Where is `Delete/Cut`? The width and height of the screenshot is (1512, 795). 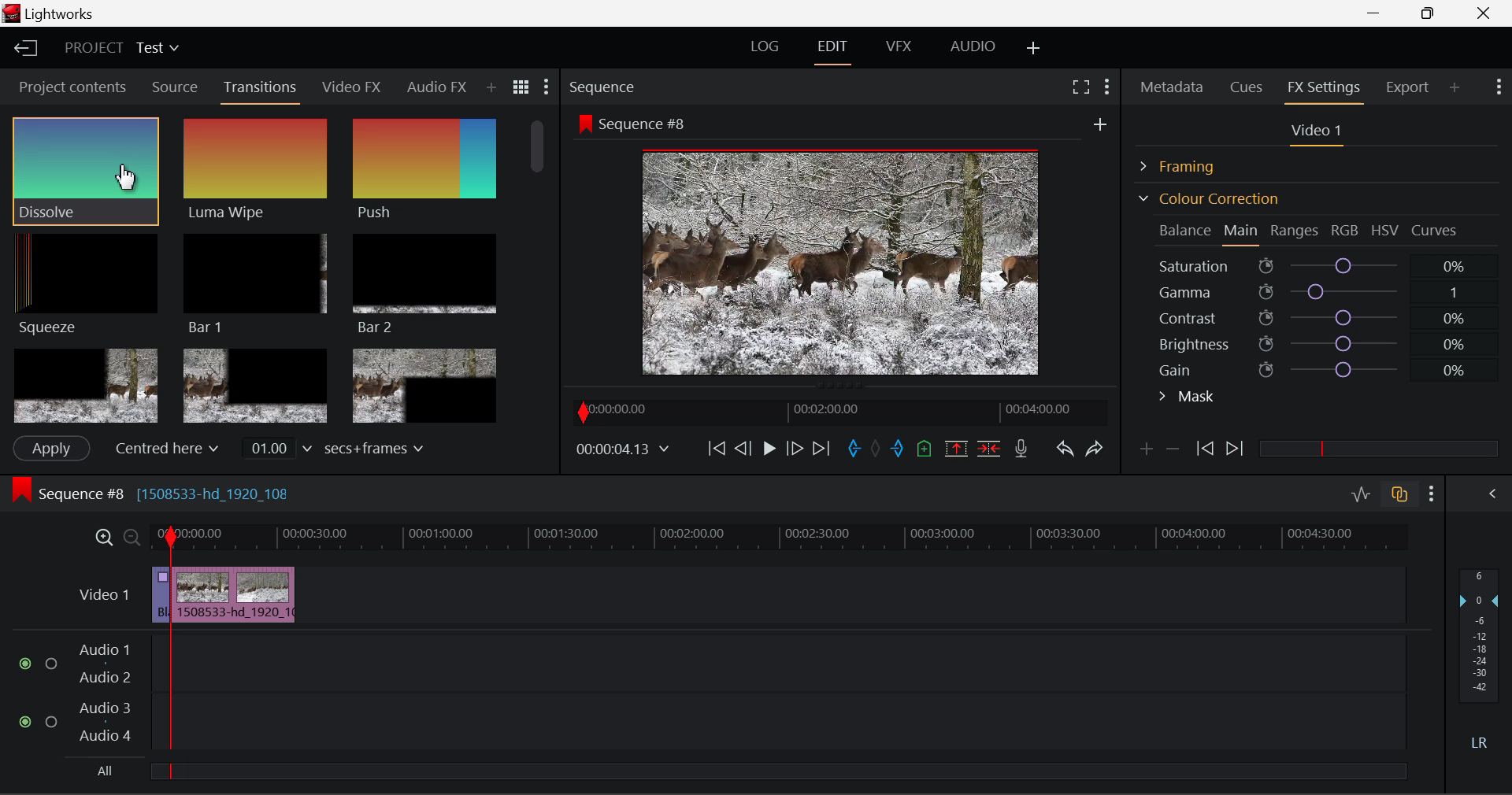 Delete/Cut is located at coordinates (989, 448).